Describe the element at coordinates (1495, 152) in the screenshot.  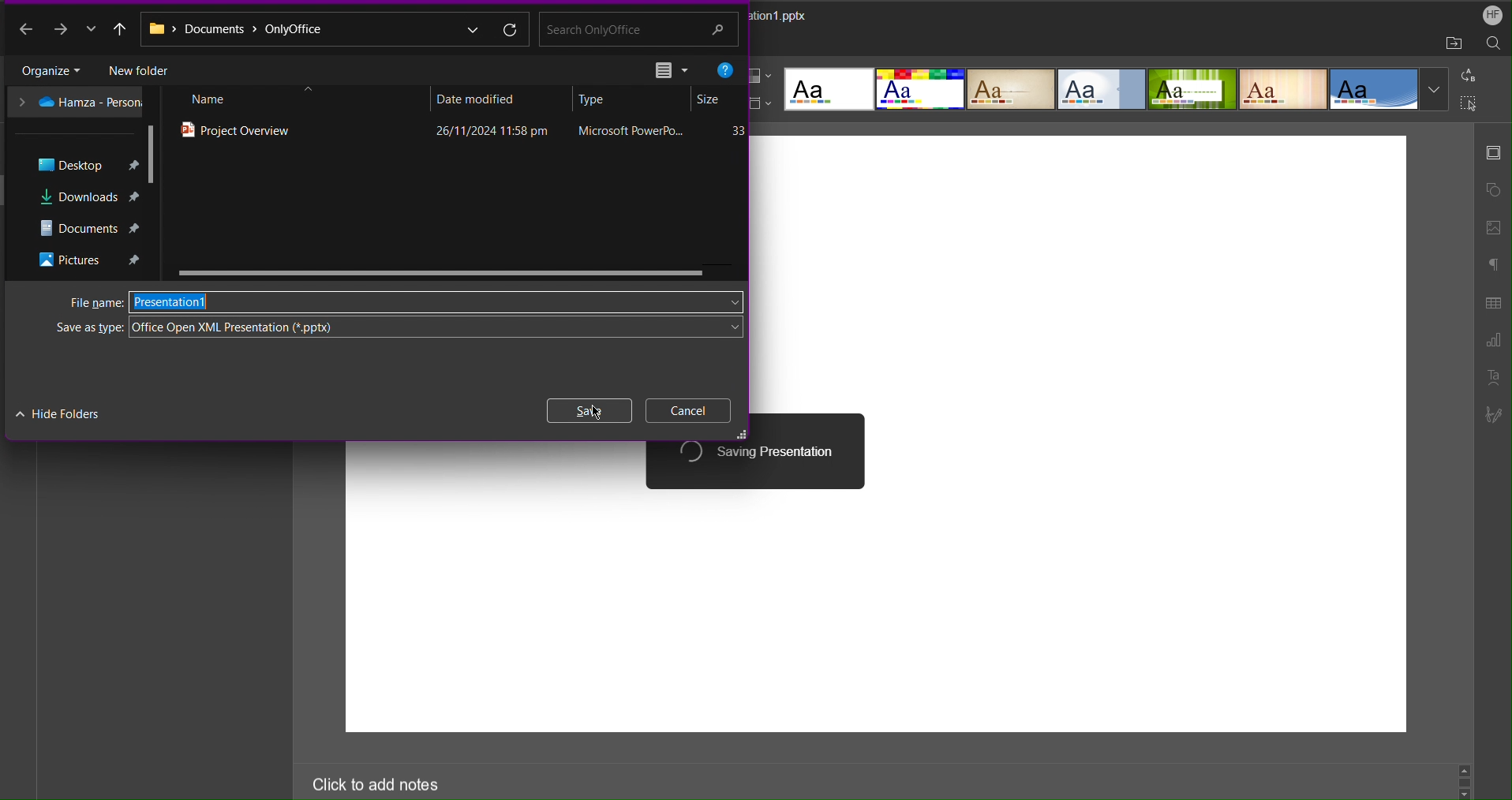
I see `Slide Settings` at that location.